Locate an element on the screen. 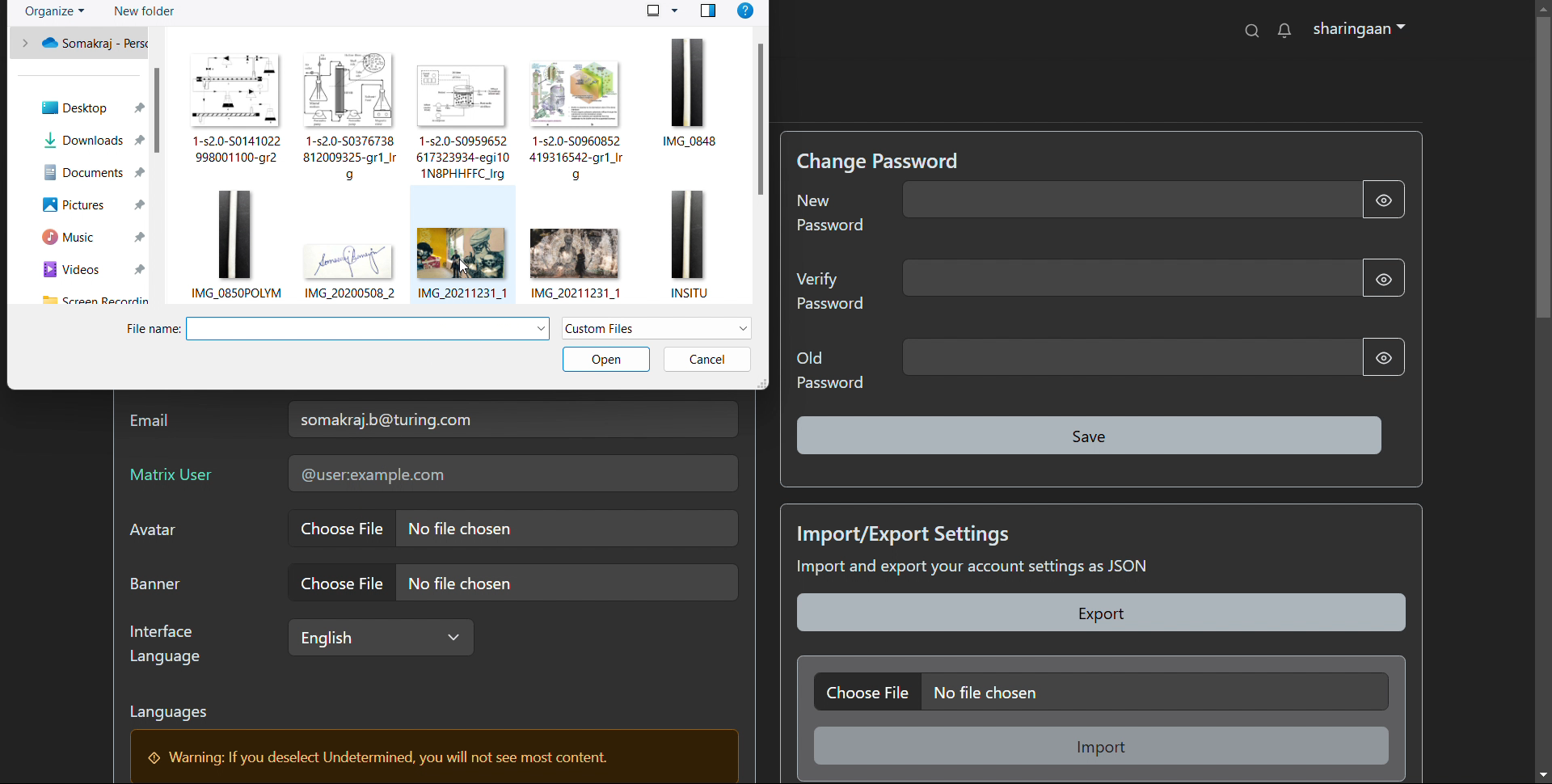 The image size is (1552, 784). choose file for banner is located at coordinates (512, 582).